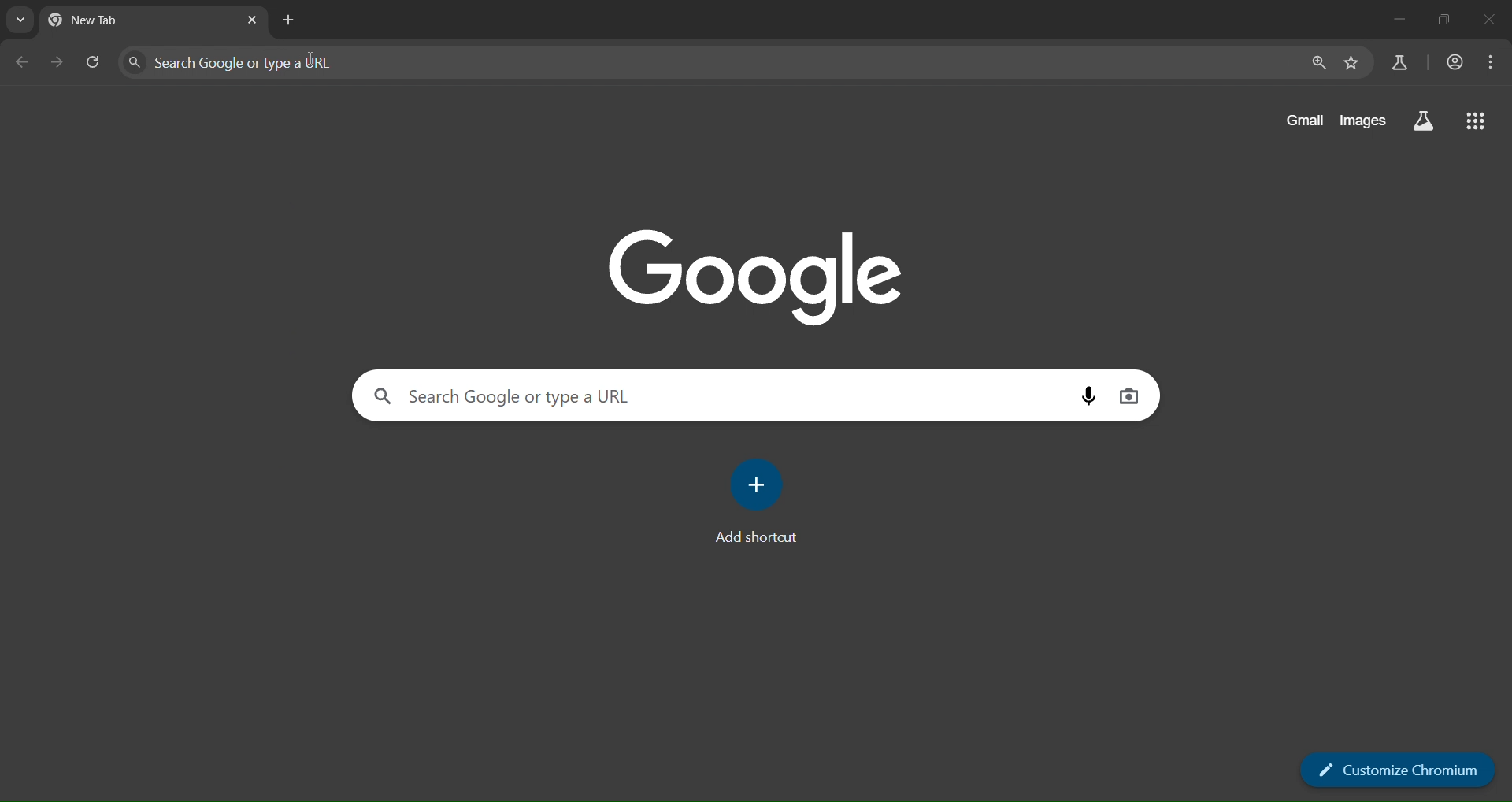  I want to click on image search, so click(1132, 399).